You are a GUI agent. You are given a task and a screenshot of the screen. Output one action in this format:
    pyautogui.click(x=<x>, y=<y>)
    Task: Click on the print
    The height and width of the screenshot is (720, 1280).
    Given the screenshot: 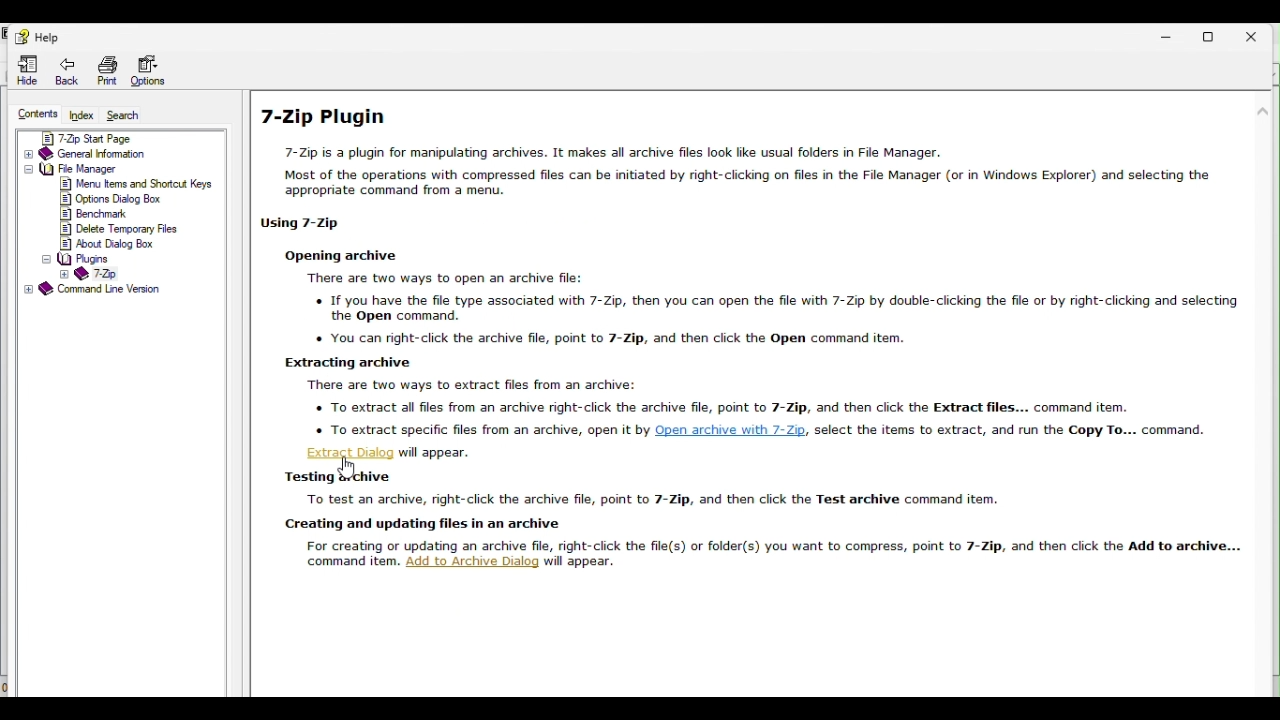 What is the action you would take?
    pyautogui.click(x=104, y=70)
    